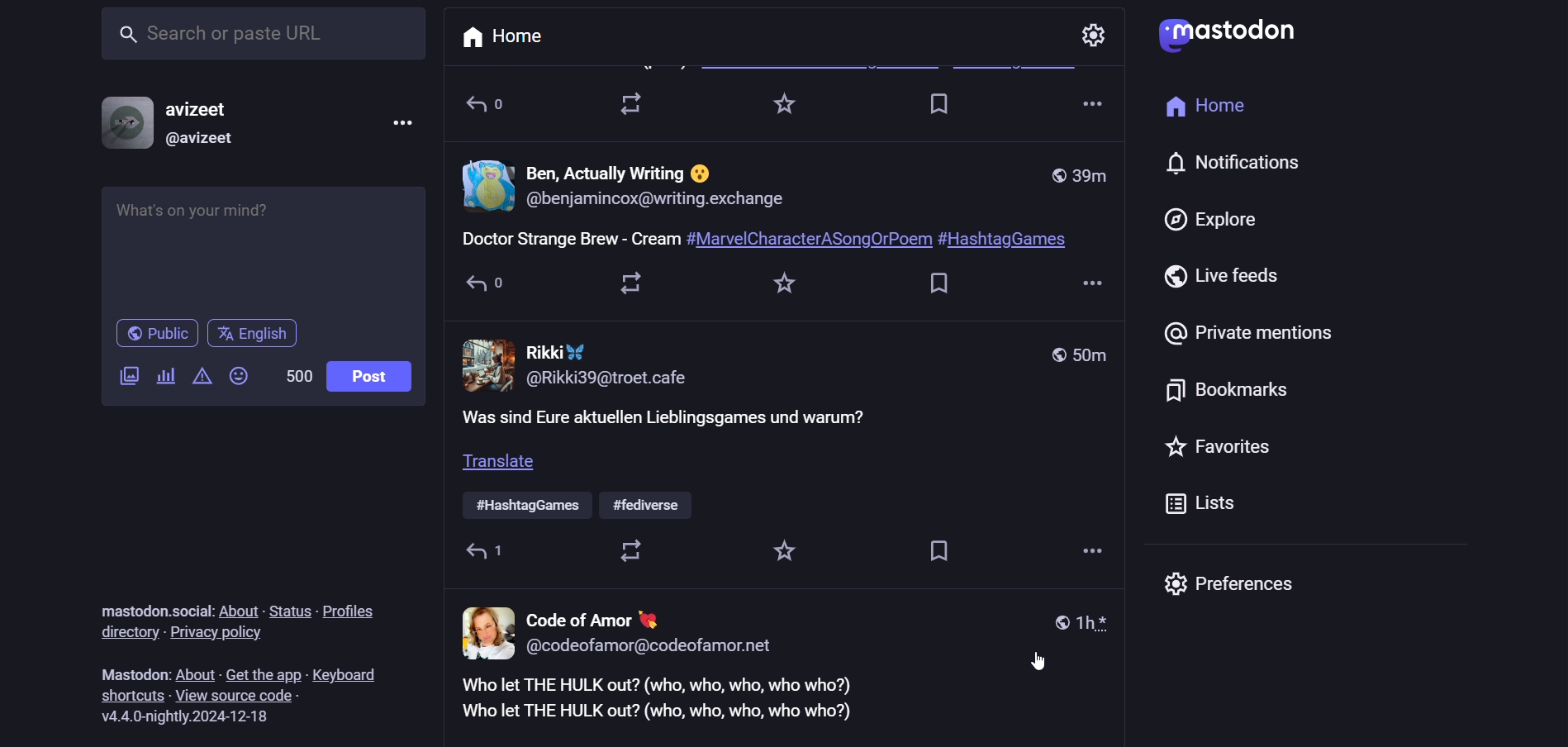 This screenshot has width=1568, height=747. Describe the element at coordinates (1093, 35) in the screenshot. I see `settings` at that location.